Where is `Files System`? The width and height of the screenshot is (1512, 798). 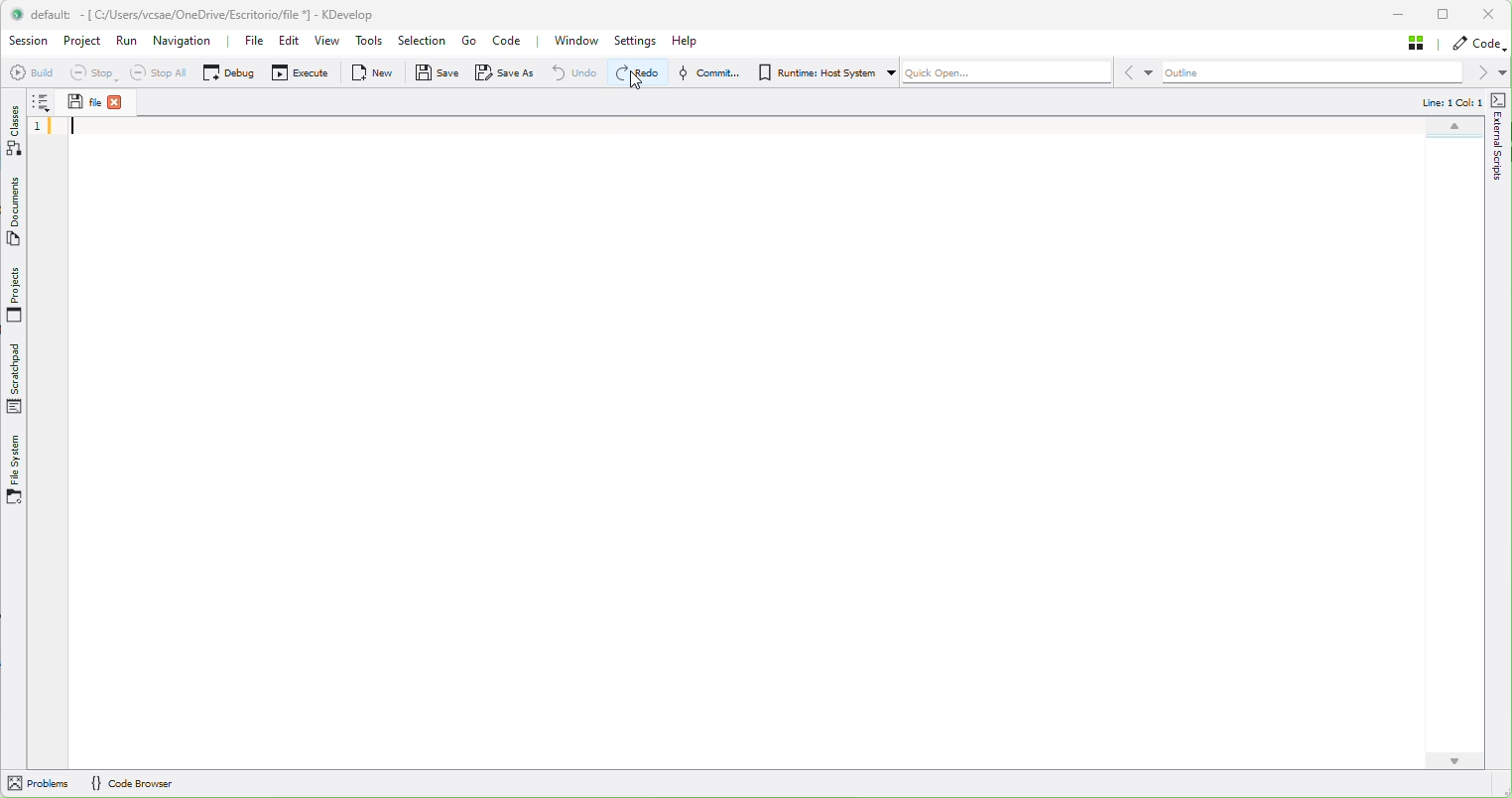
Files System is located at coordinates (20, 473).